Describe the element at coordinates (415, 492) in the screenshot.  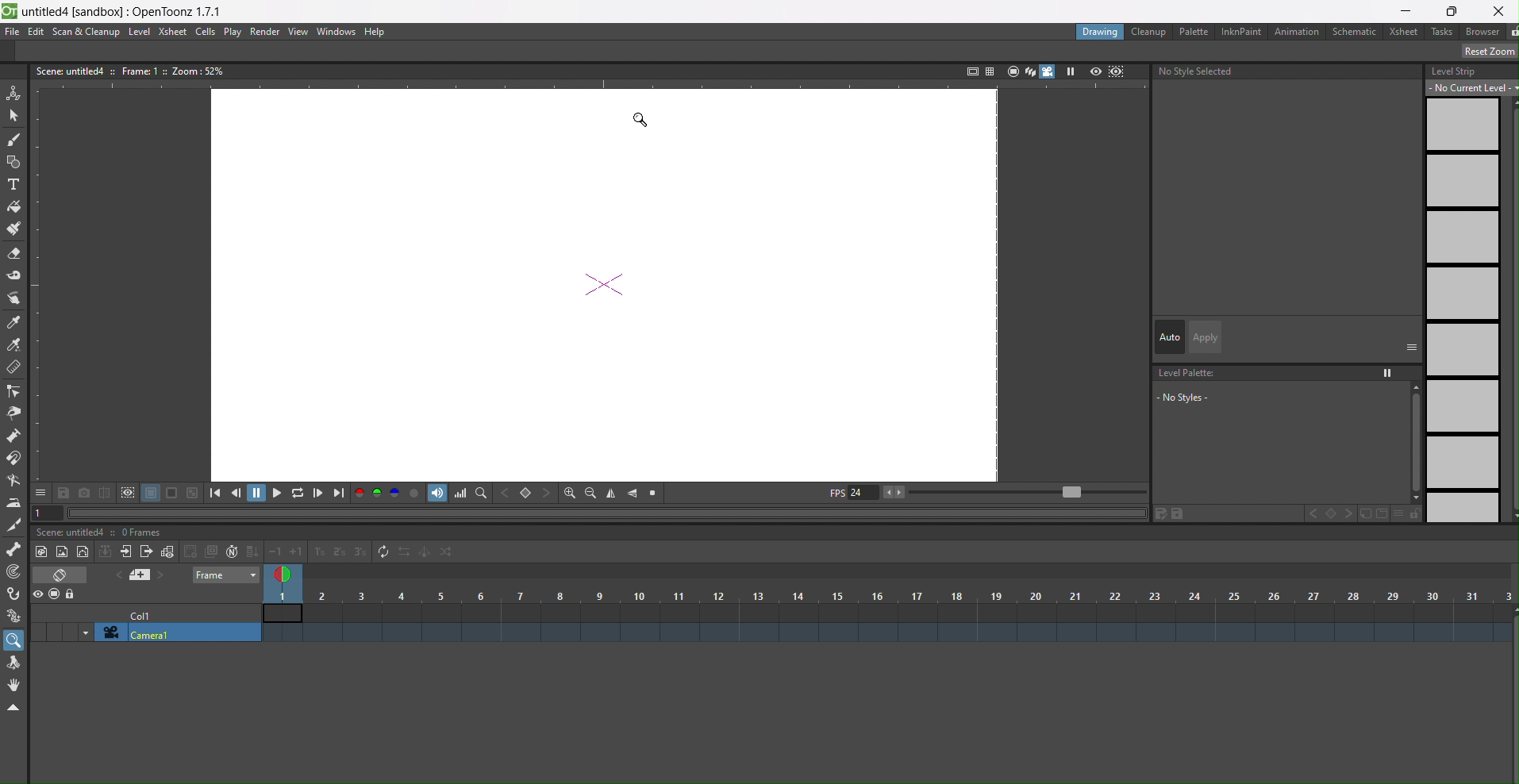
I see `` at that location.